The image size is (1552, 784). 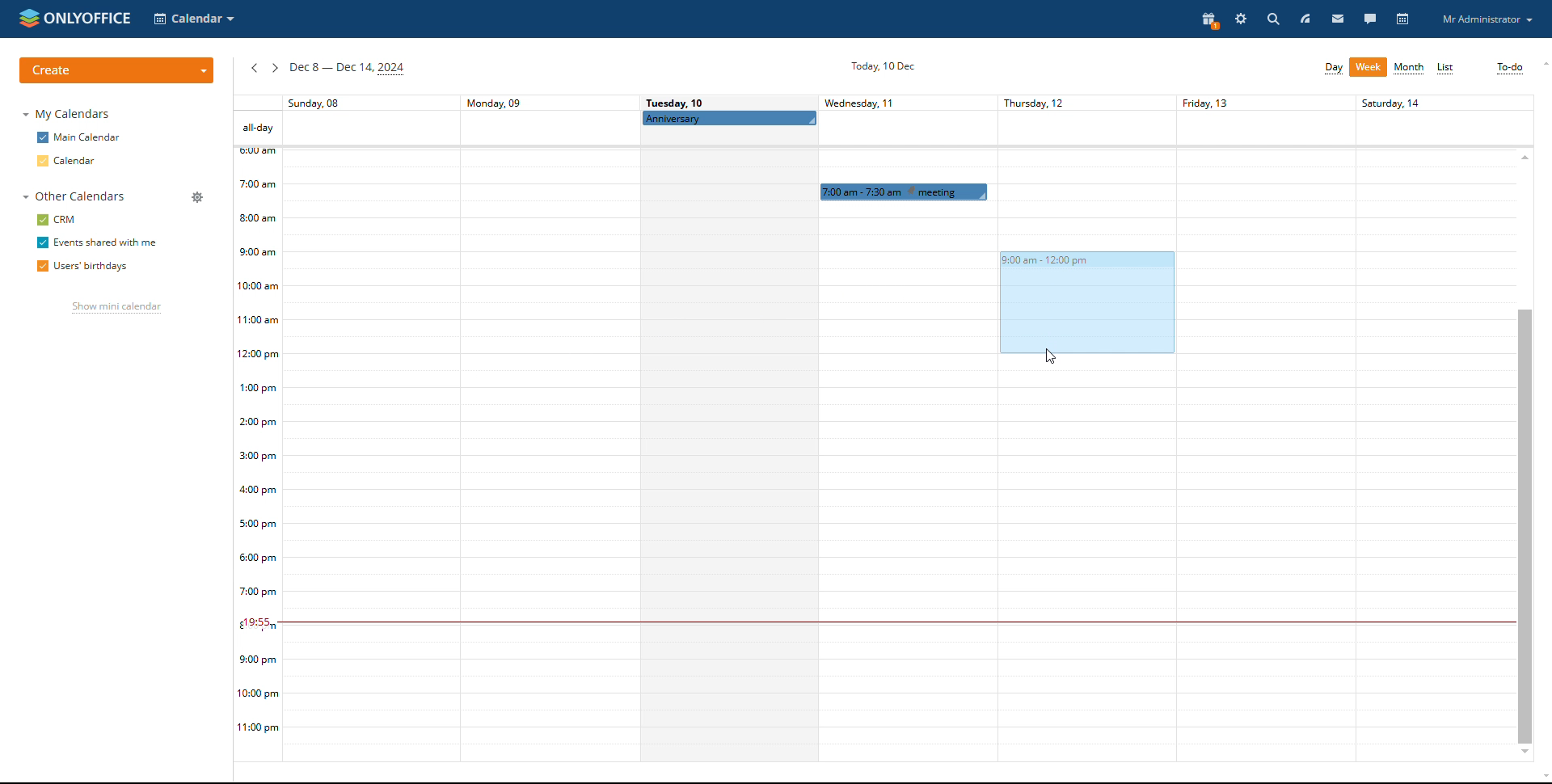 What do you see at coordinates (1076, 102) in the screenshot?
I see `Thursday, 12` at bounding box center [1076, 102].